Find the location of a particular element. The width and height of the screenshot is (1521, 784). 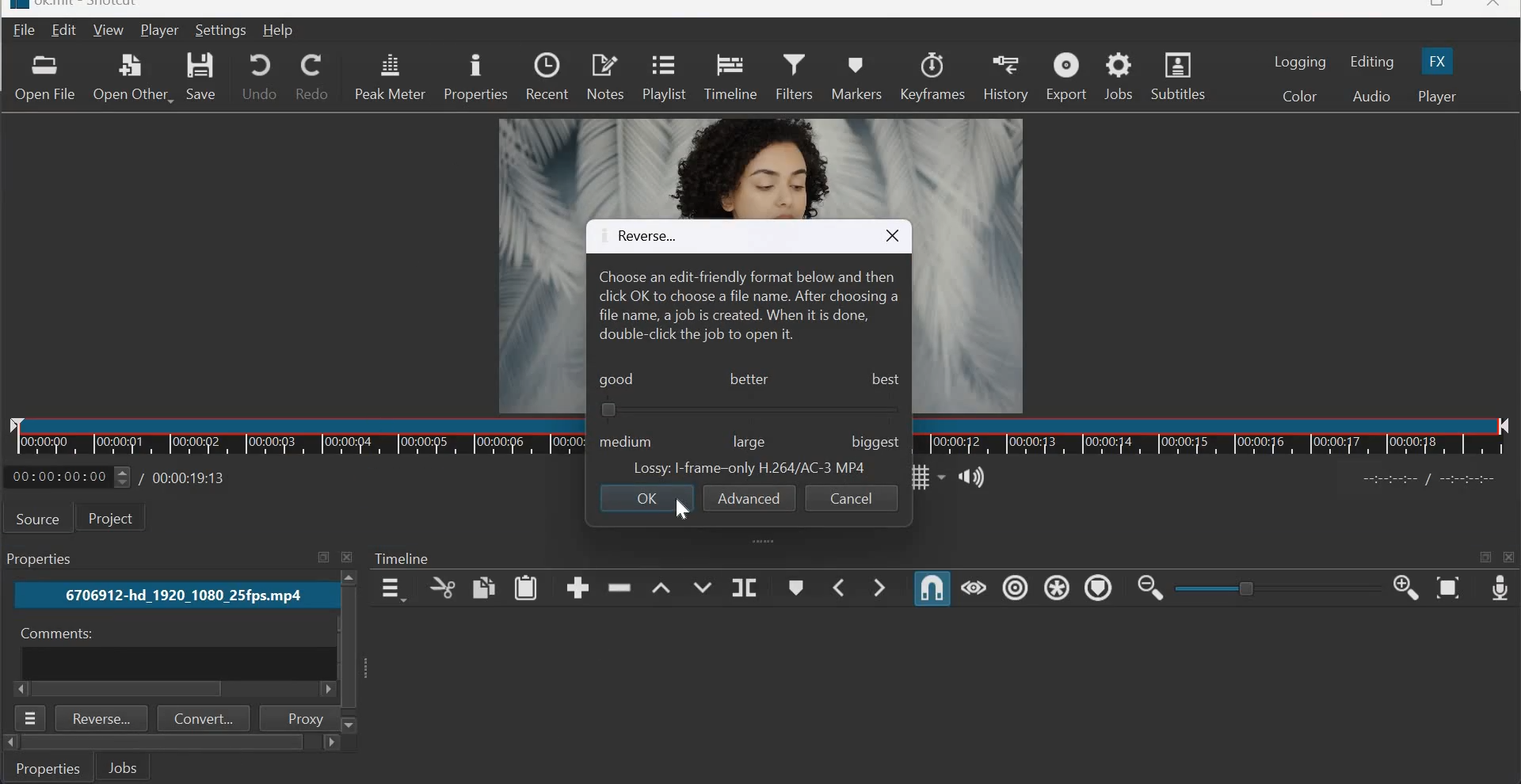

Timeline is located at coordinates (297, 436).